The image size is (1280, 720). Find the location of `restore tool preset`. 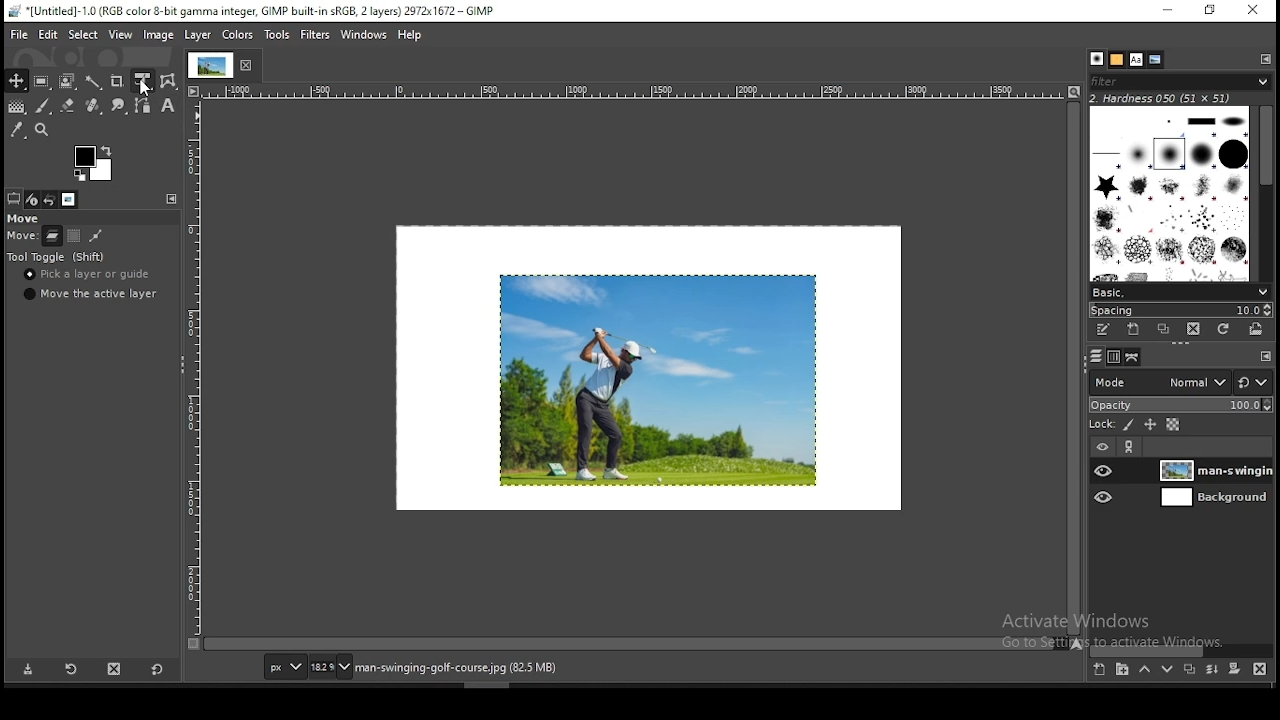

restore tool preset is located at coordinates (70, 669).